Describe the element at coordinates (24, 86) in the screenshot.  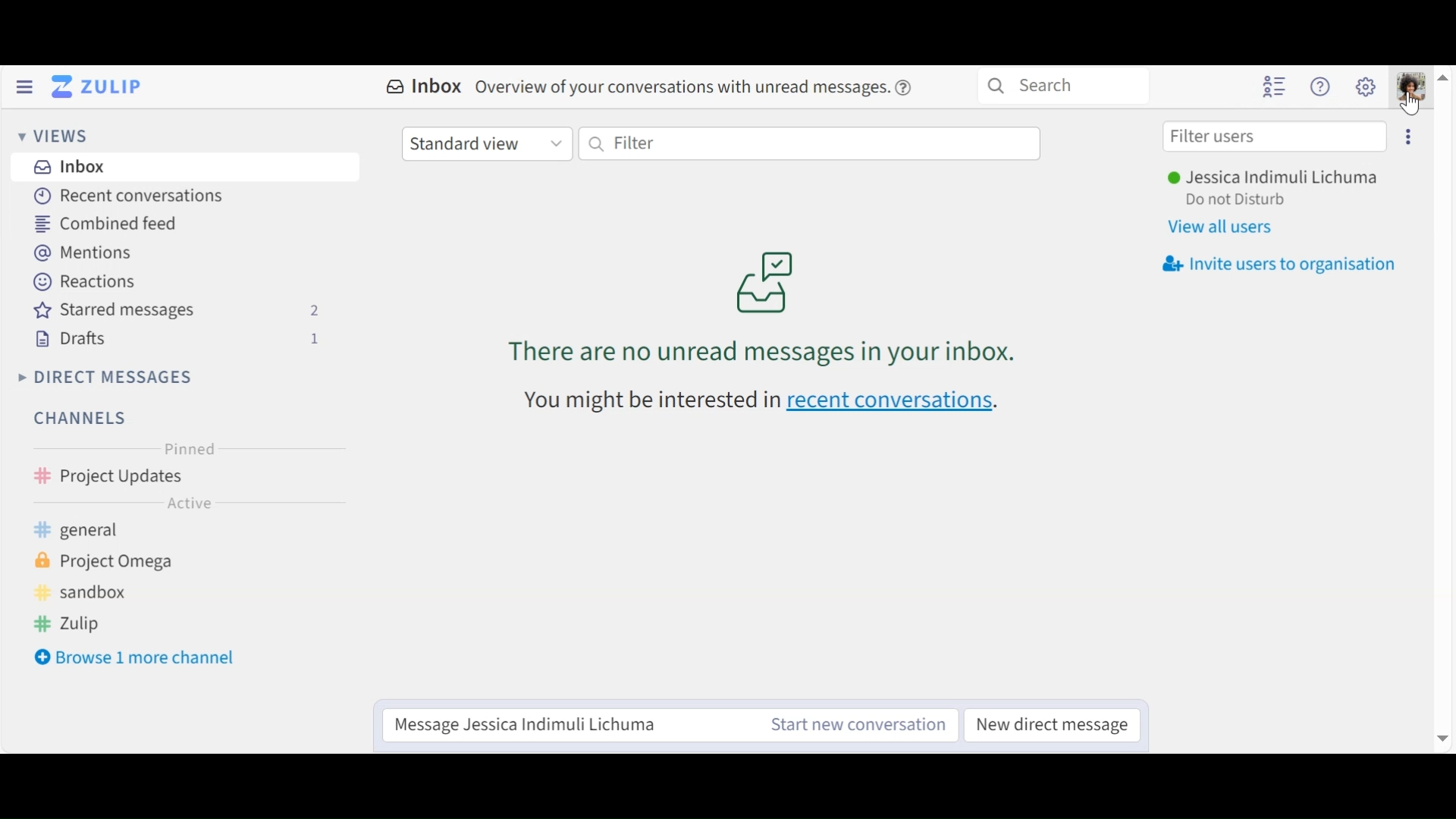
I see `Hide left Sidebar` at that location.